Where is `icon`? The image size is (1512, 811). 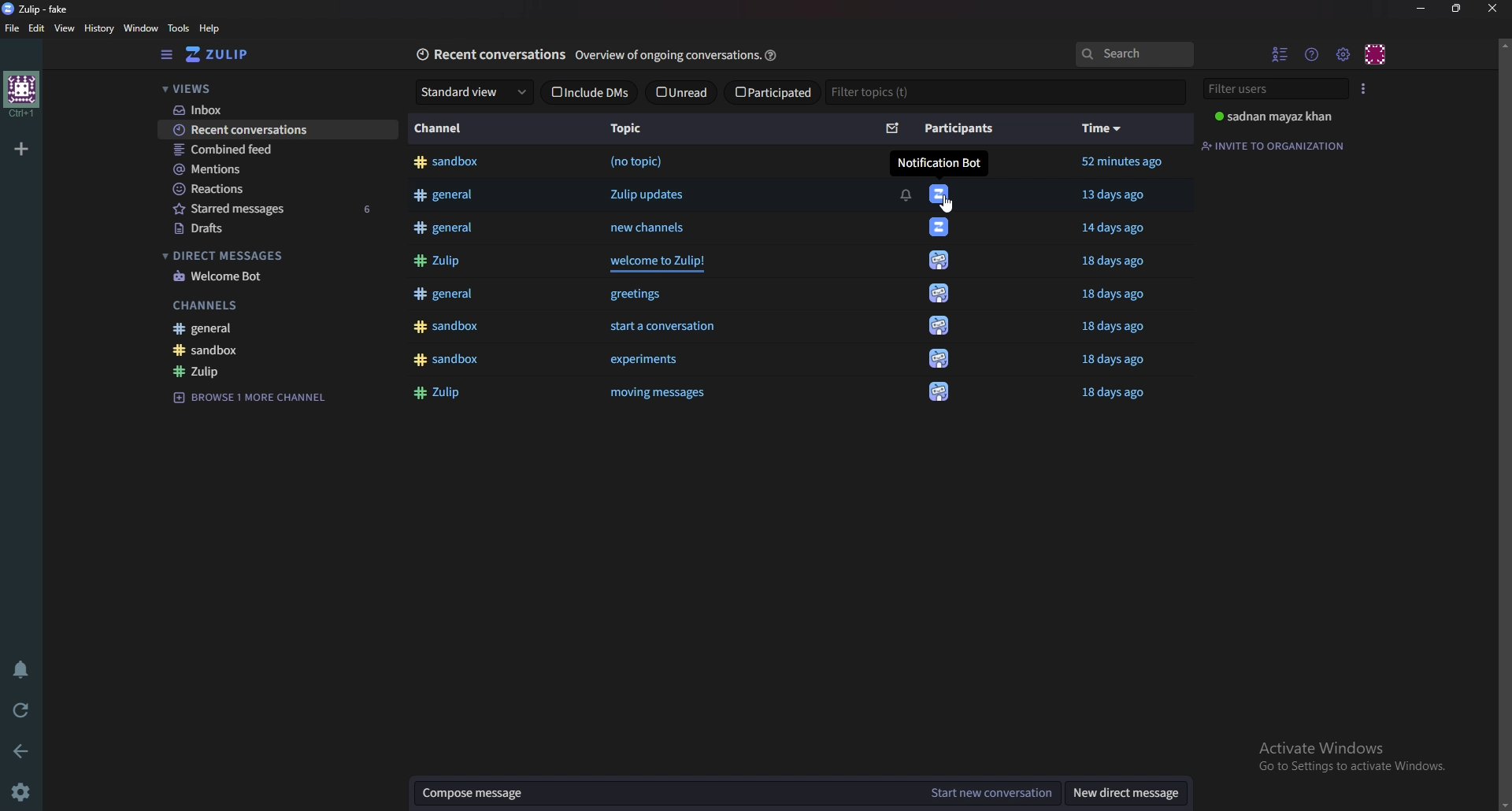
icon is located at coordinates (939, 324).